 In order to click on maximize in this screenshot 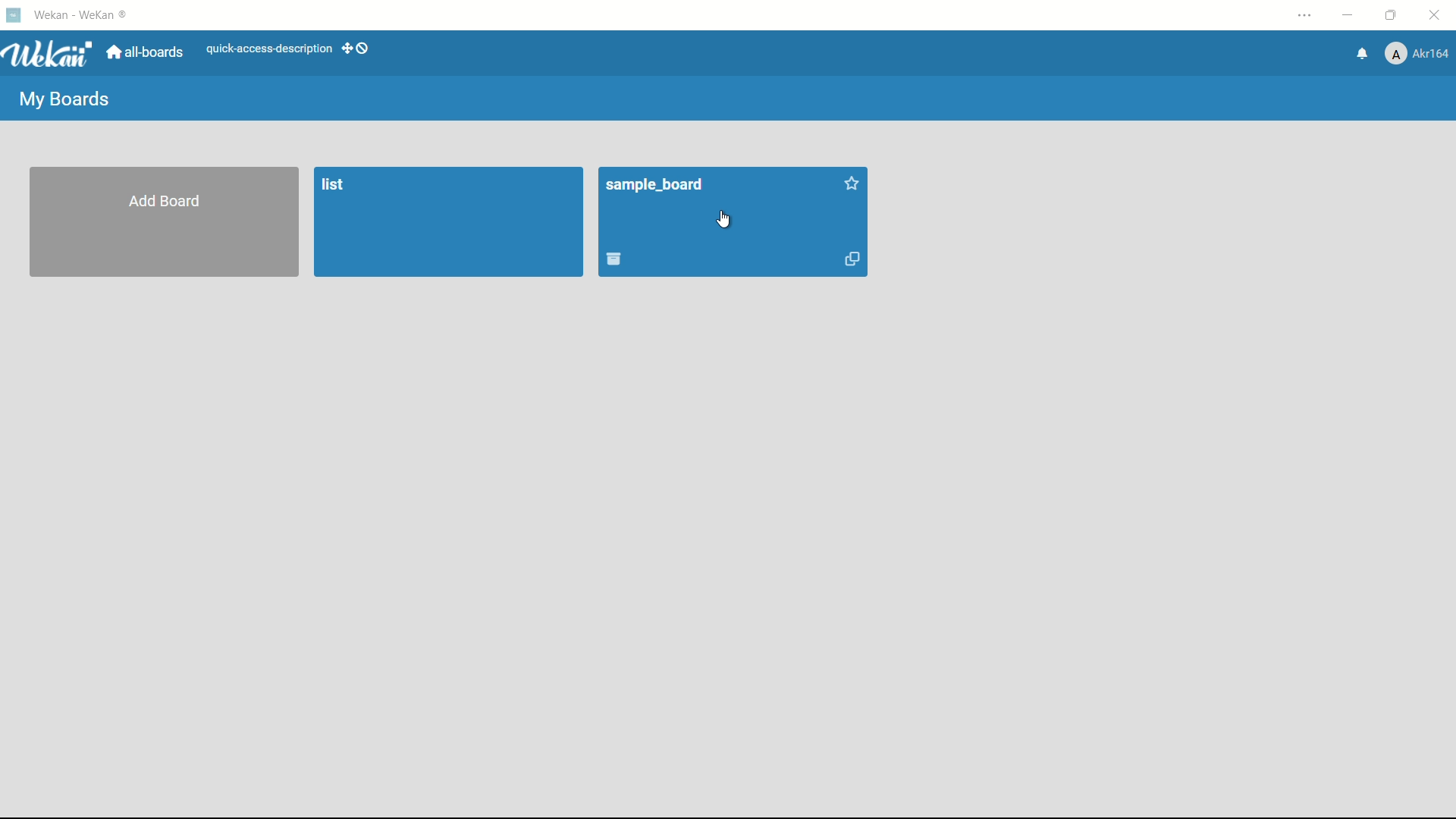, I will do `click(1394, 16)`.